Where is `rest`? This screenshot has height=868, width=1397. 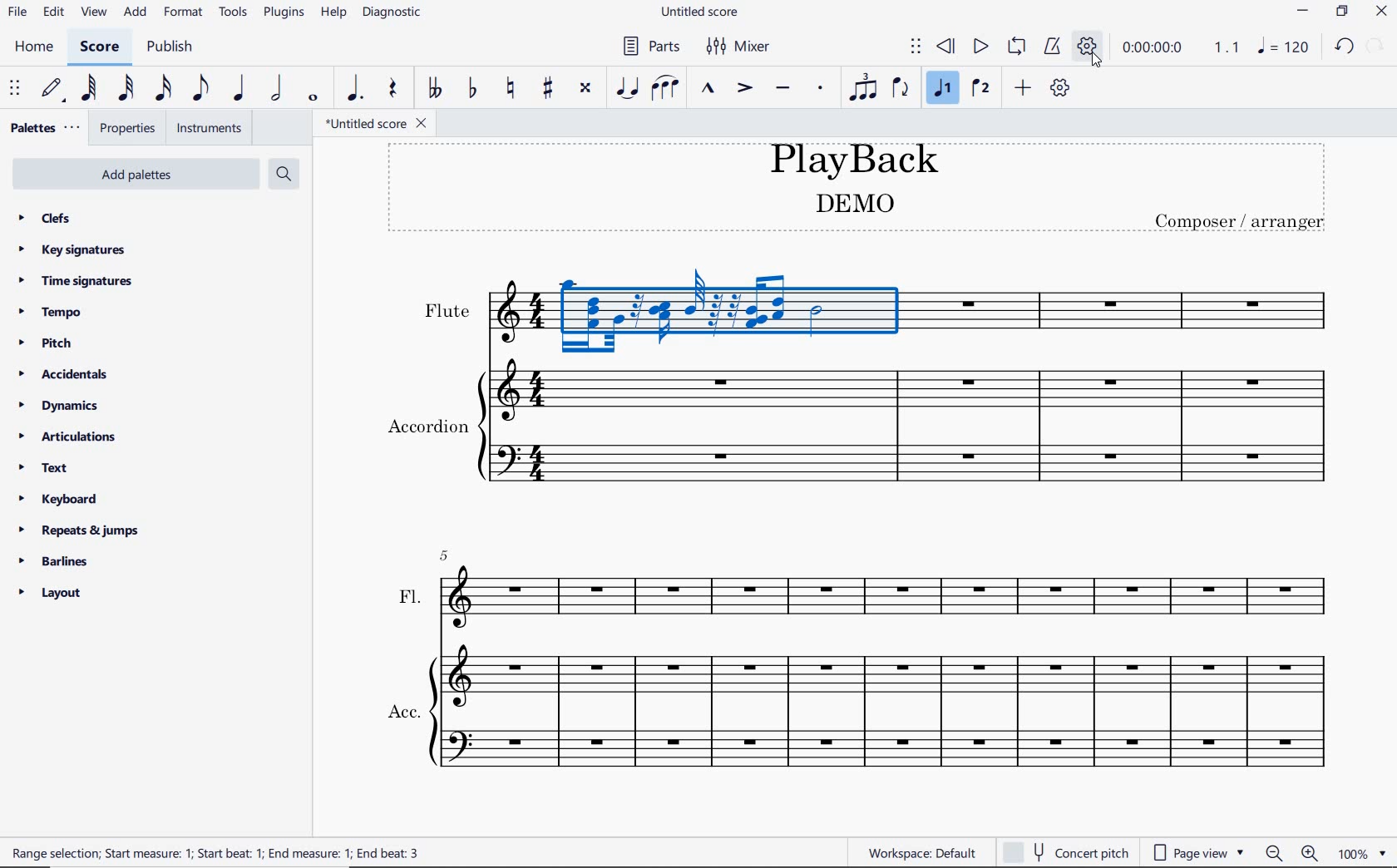 rest is located at coordinates (392, 89).